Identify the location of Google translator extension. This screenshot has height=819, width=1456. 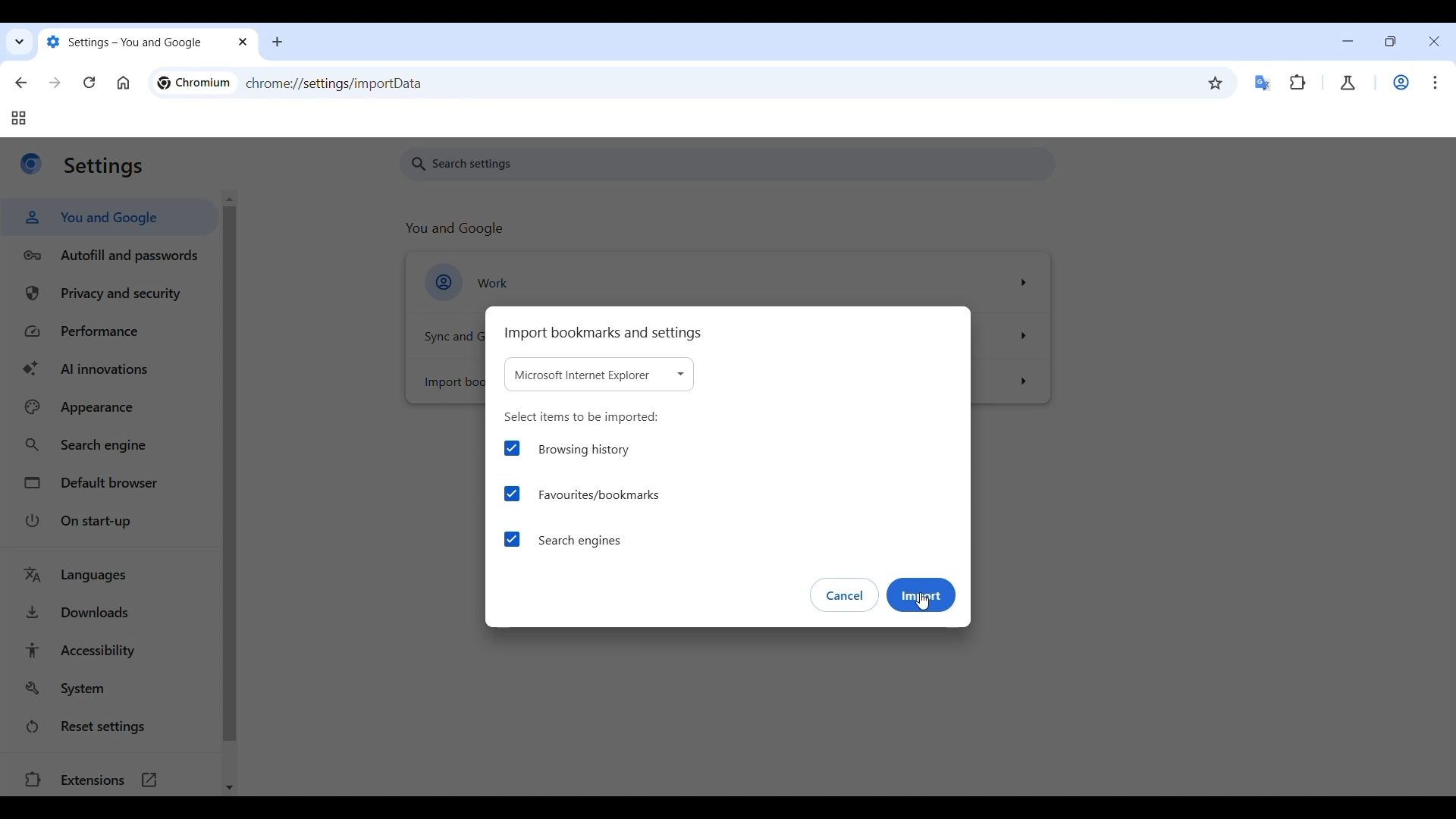
(1264, 83).